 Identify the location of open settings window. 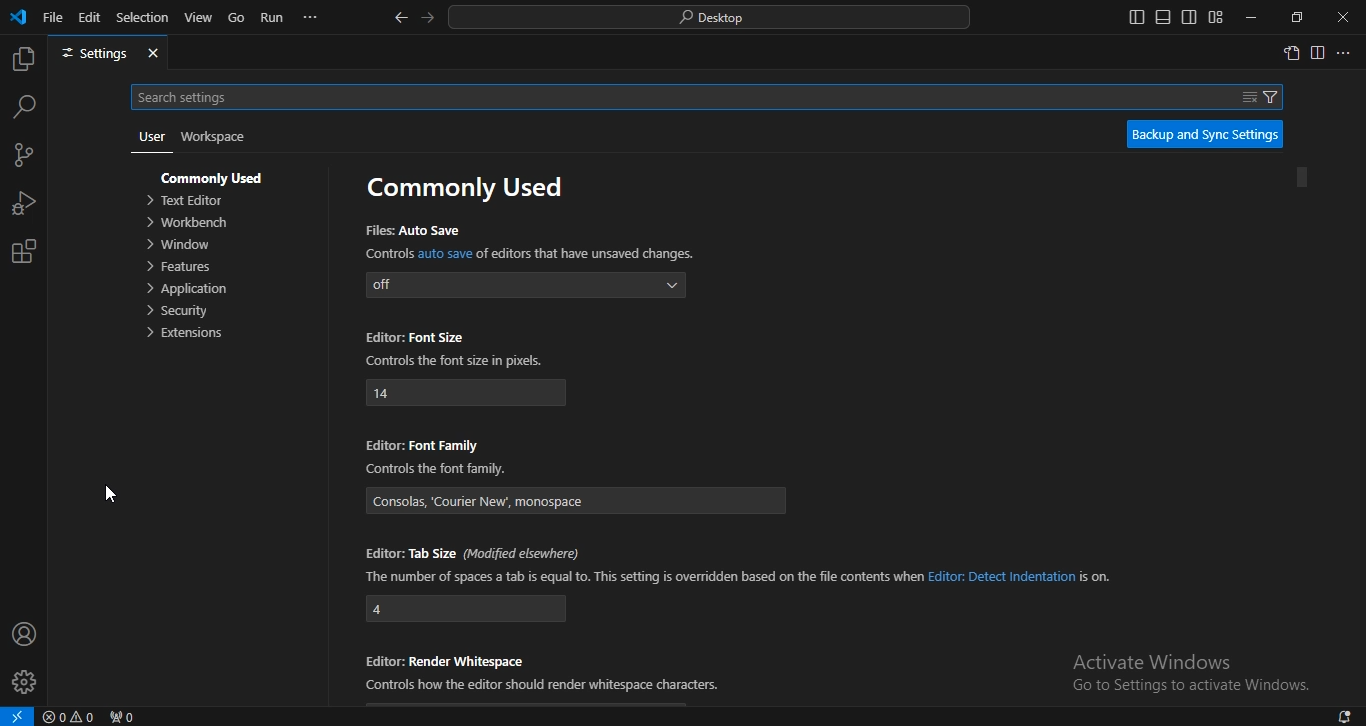
(1291, 53).